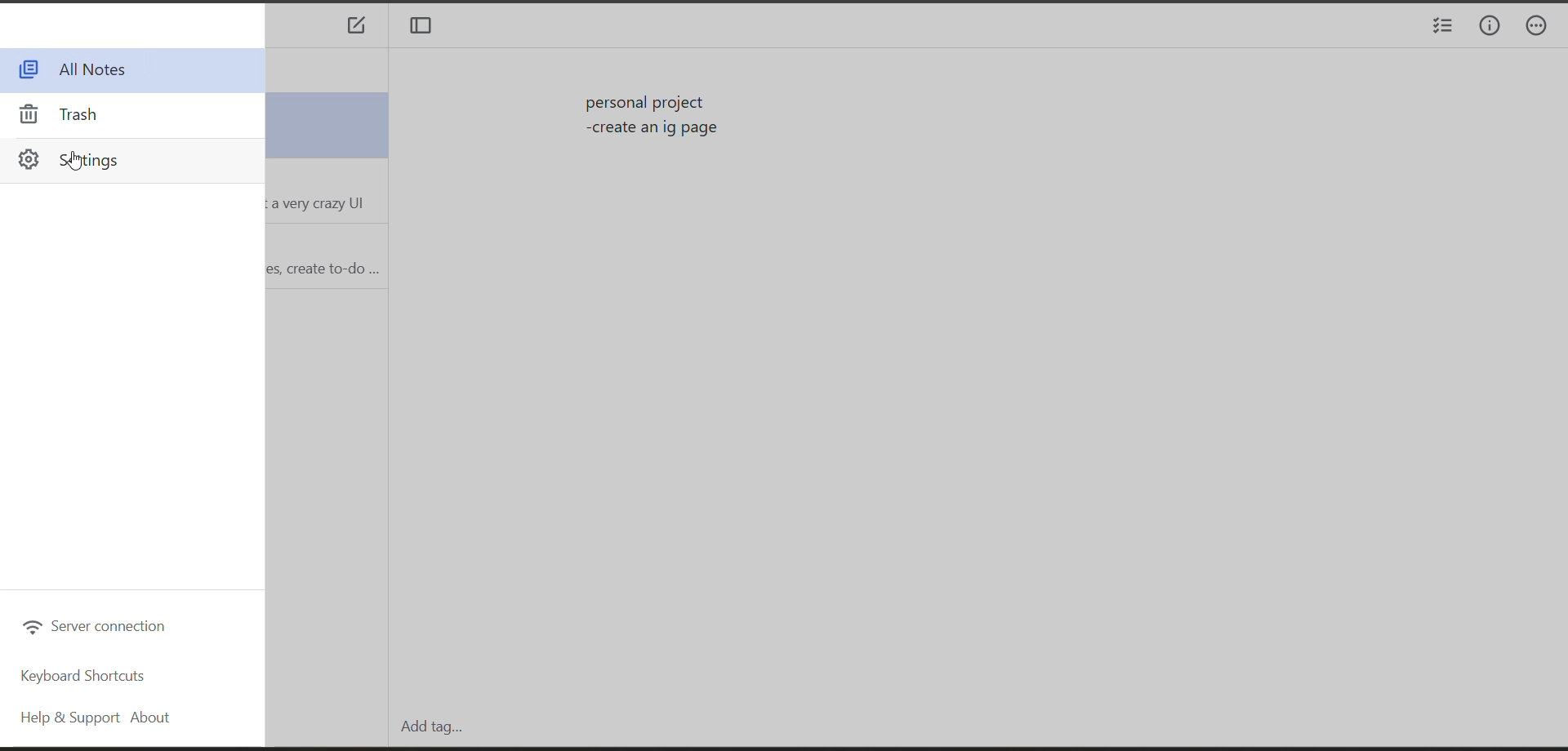 This screenshot has height=751, width=1568. I want to click on data in current notes, so click(656, 118).